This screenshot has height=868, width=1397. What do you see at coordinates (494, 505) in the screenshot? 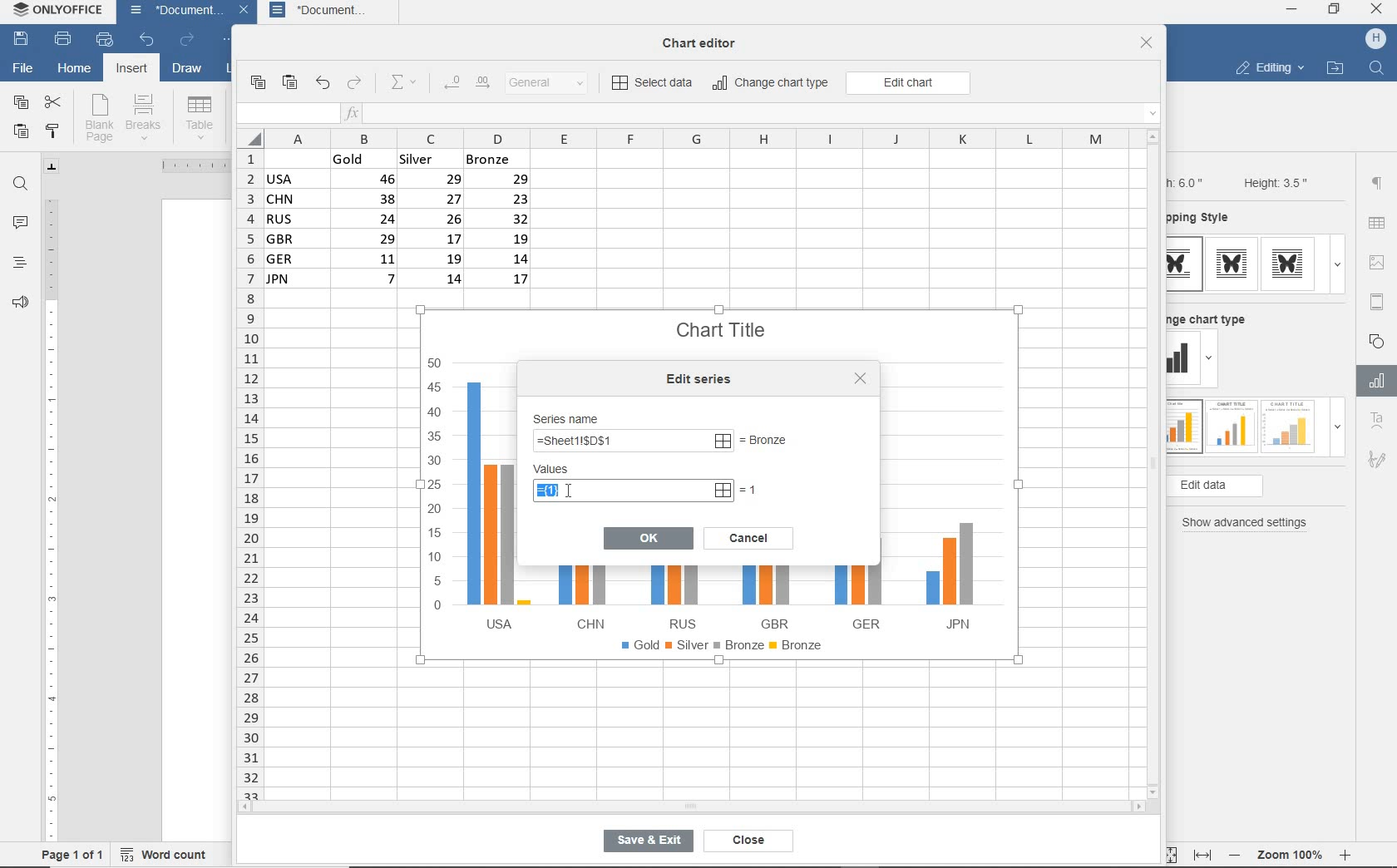
I see `USA` at bounding box center [494, 505].